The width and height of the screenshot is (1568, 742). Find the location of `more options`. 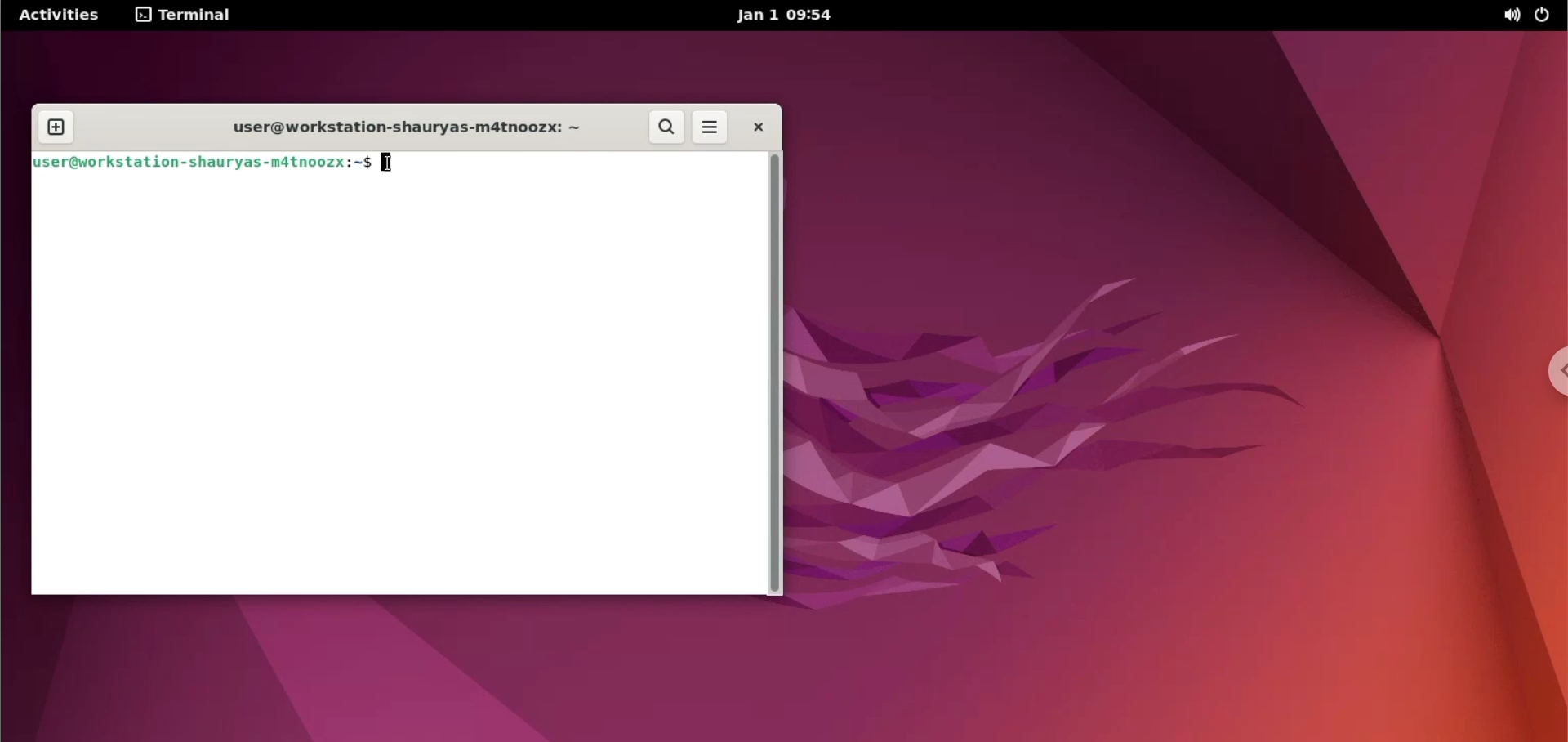

more options is located at coordinates (710, 127).